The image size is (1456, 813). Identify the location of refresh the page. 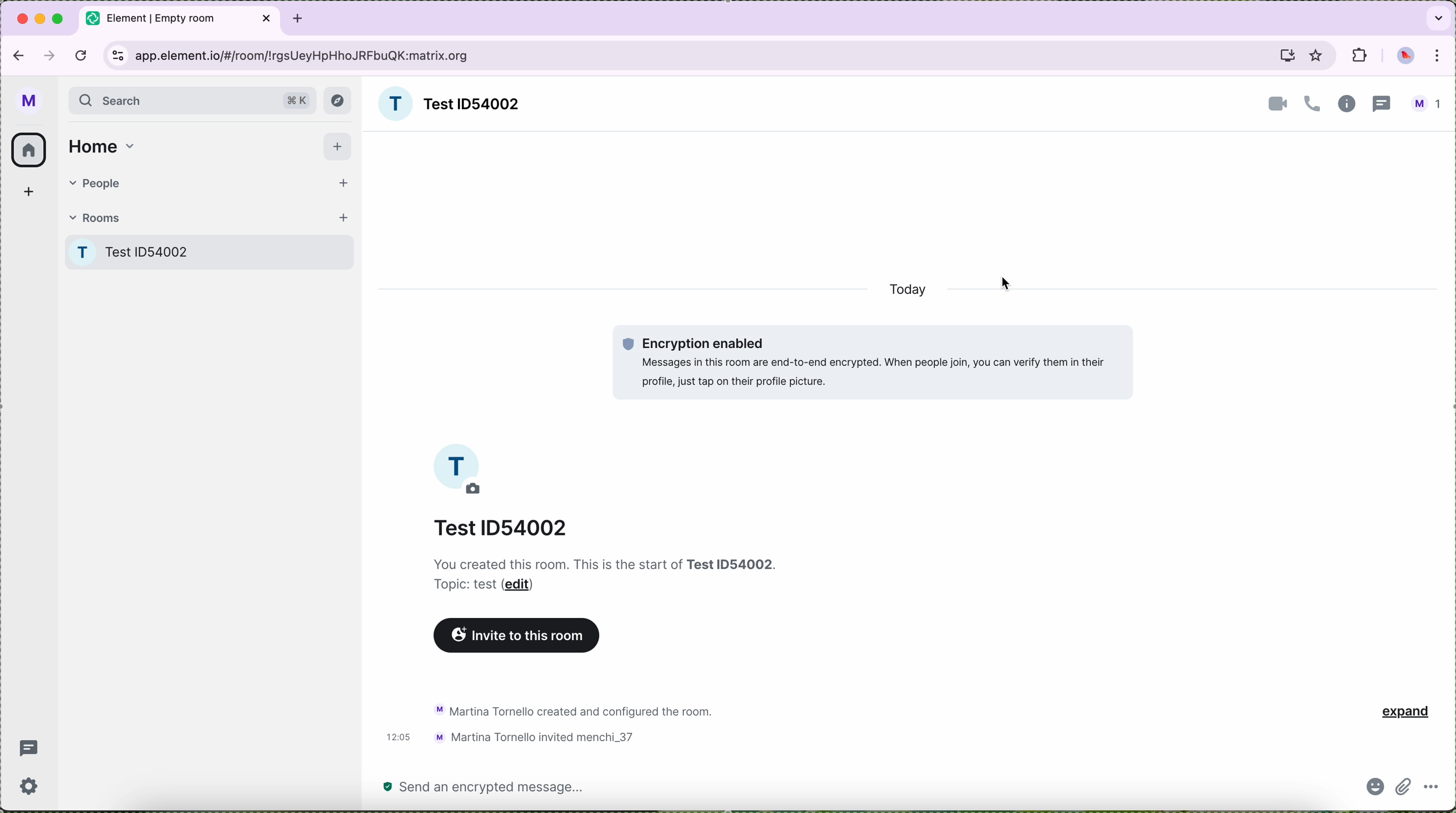
(81, 55).